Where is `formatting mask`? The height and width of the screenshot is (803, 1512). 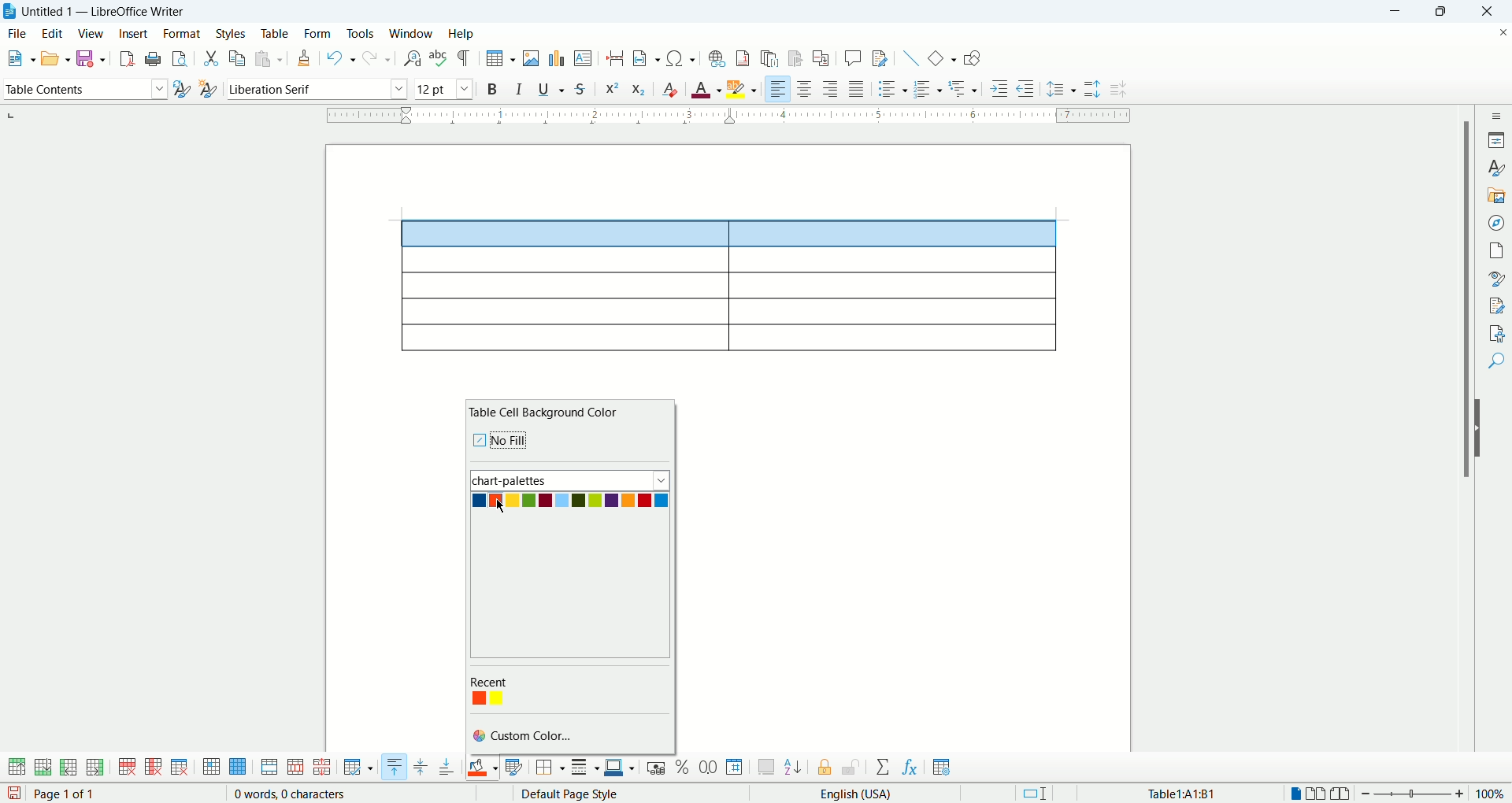 formatting mask is located at coordinates (465, 57).